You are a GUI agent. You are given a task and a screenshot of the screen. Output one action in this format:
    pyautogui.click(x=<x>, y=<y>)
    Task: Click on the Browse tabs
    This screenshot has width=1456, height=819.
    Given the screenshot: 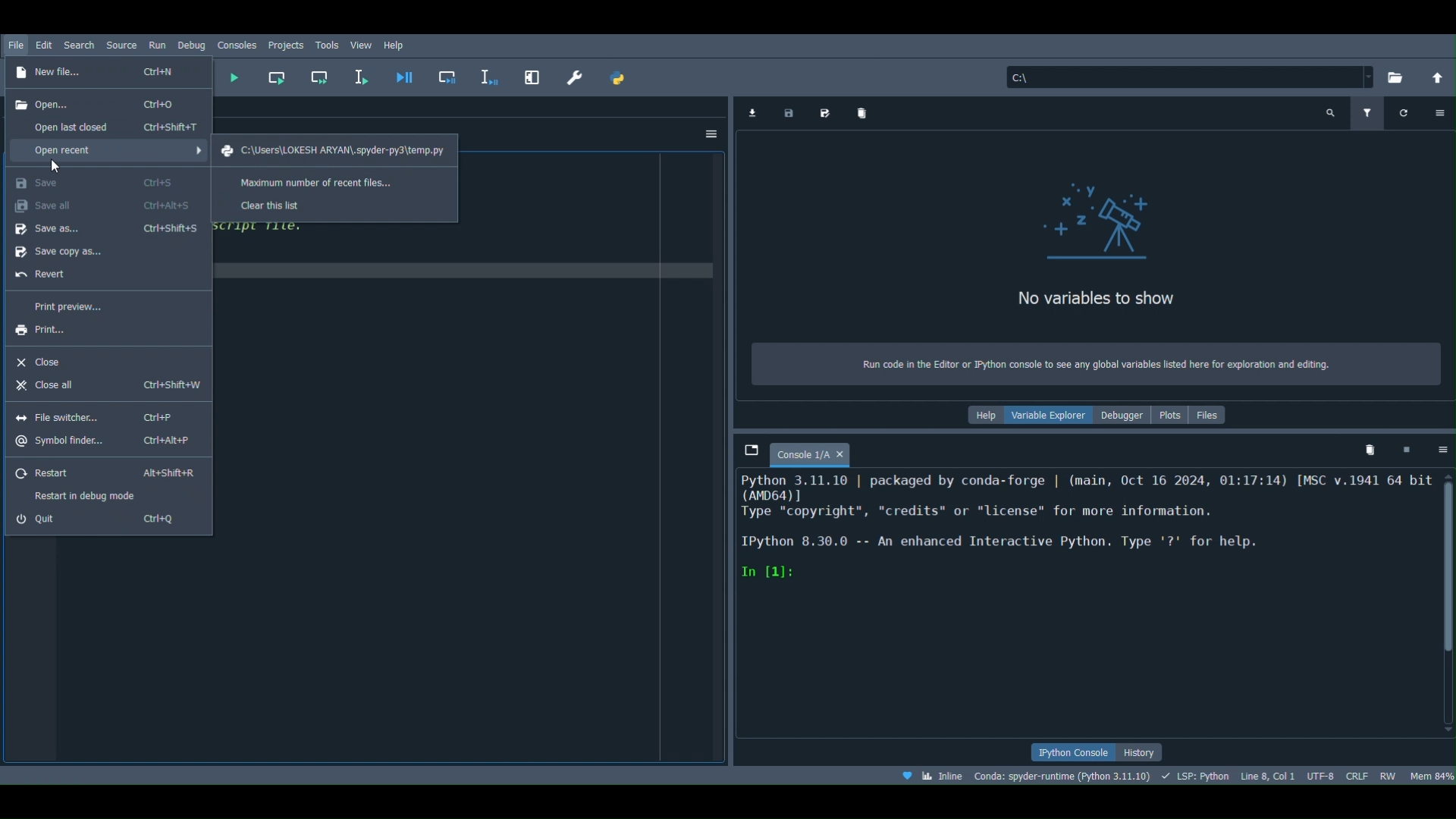 What is the action you would take?
    pyautogui.click(x=749, y=447)
    